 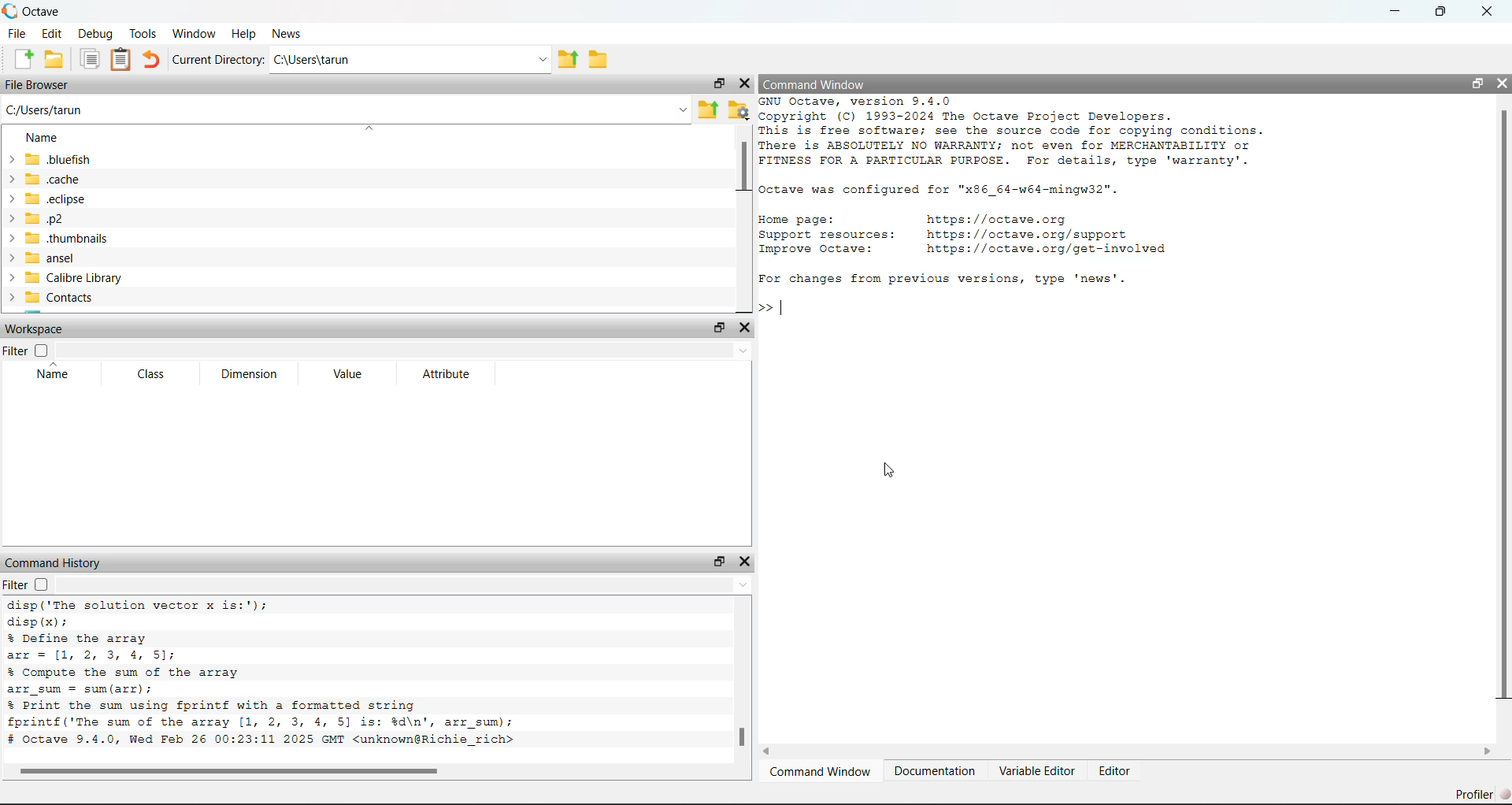 I want to click on Undo, so click(x=153, y=60).